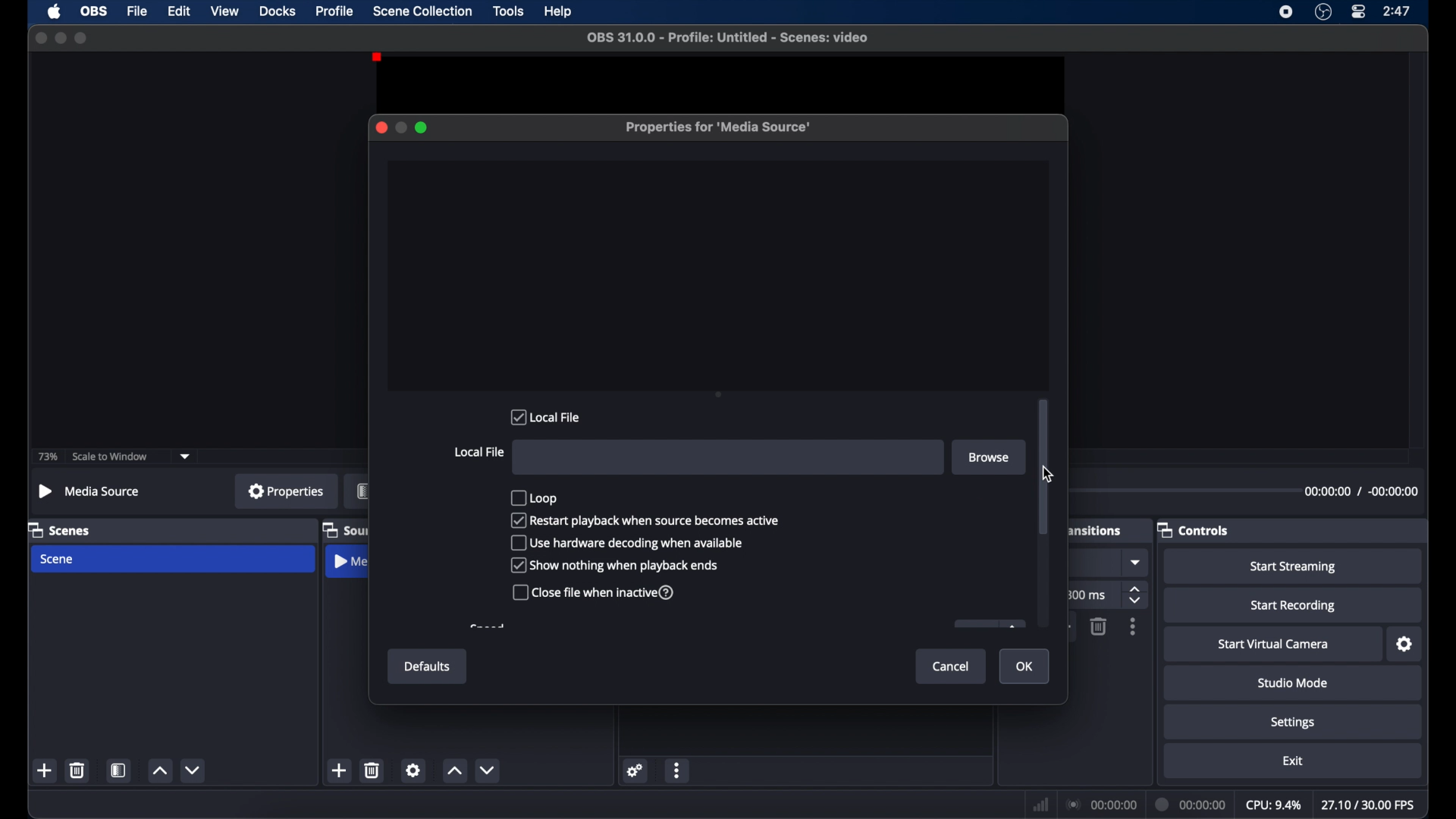  I want to click on obs, so click(94, 11).